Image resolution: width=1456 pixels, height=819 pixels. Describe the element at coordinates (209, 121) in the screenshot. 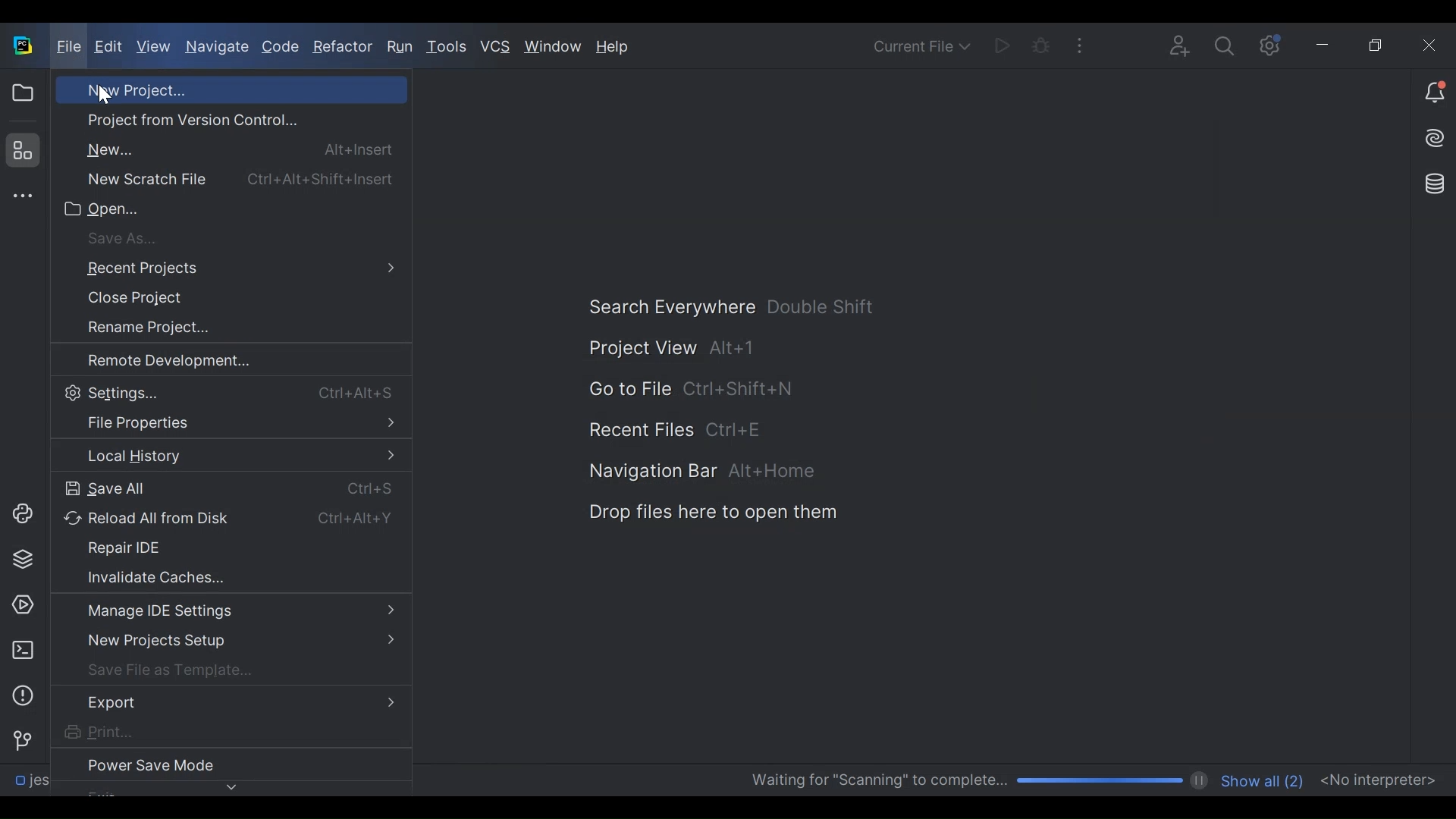

I see `Project from Version Control` at that location.